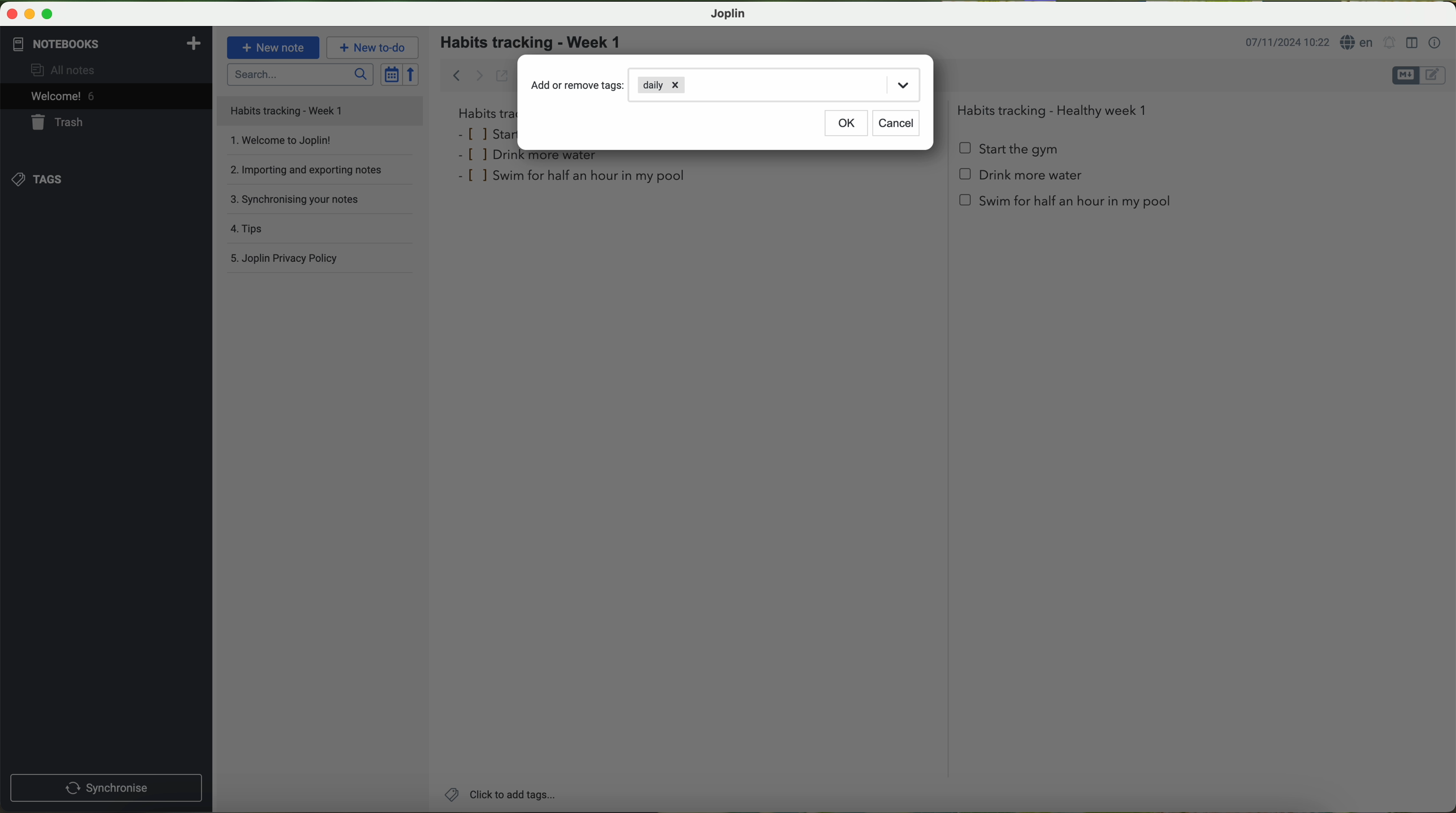 Image resolution: width=1456 pixels, height=813 pixels. I want to click on back, so click(453, 74).